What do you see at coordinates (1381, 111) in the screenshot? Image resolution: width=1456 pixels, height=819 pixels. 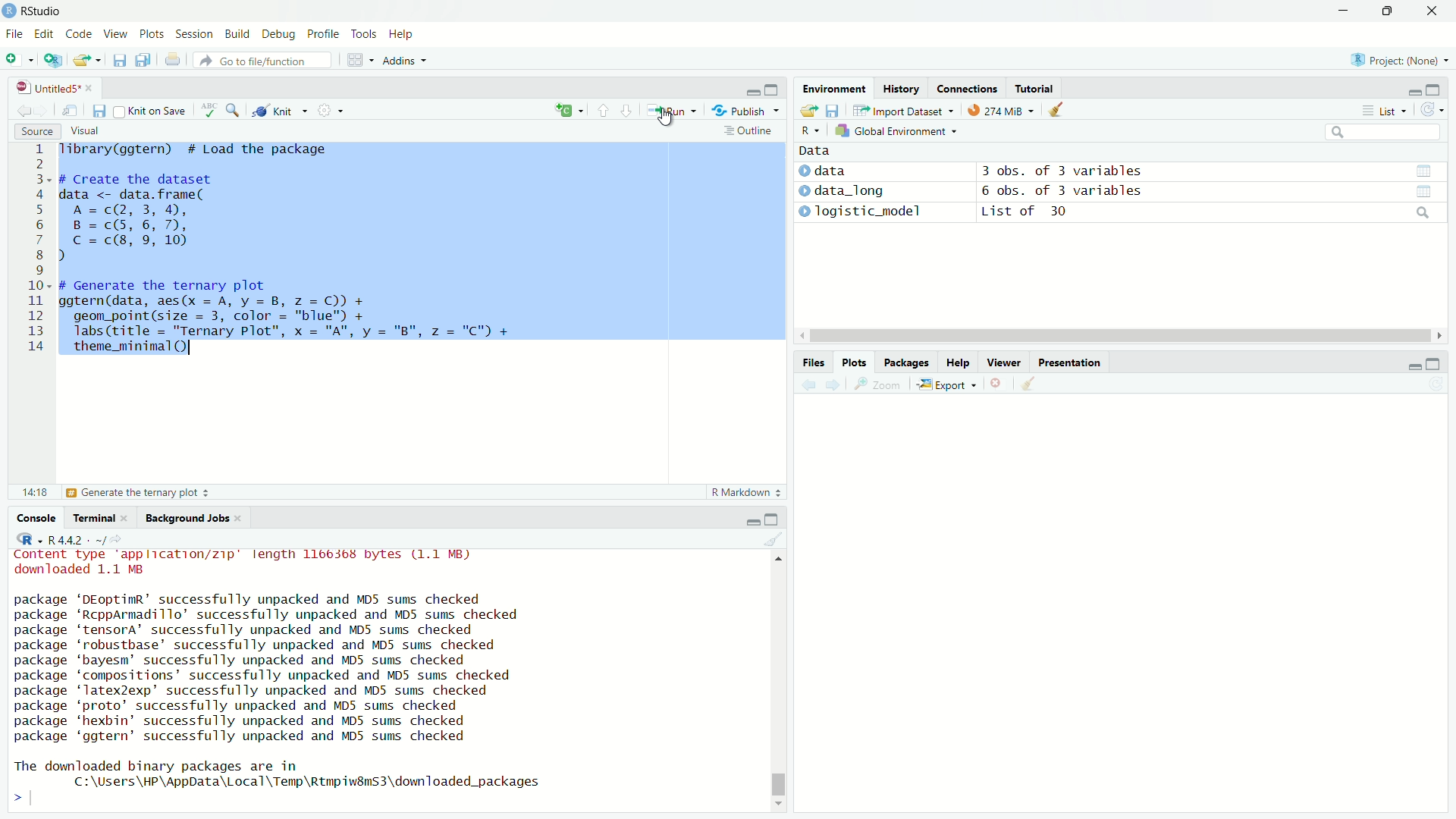 I see `List` at bounding box center [1381, 111].